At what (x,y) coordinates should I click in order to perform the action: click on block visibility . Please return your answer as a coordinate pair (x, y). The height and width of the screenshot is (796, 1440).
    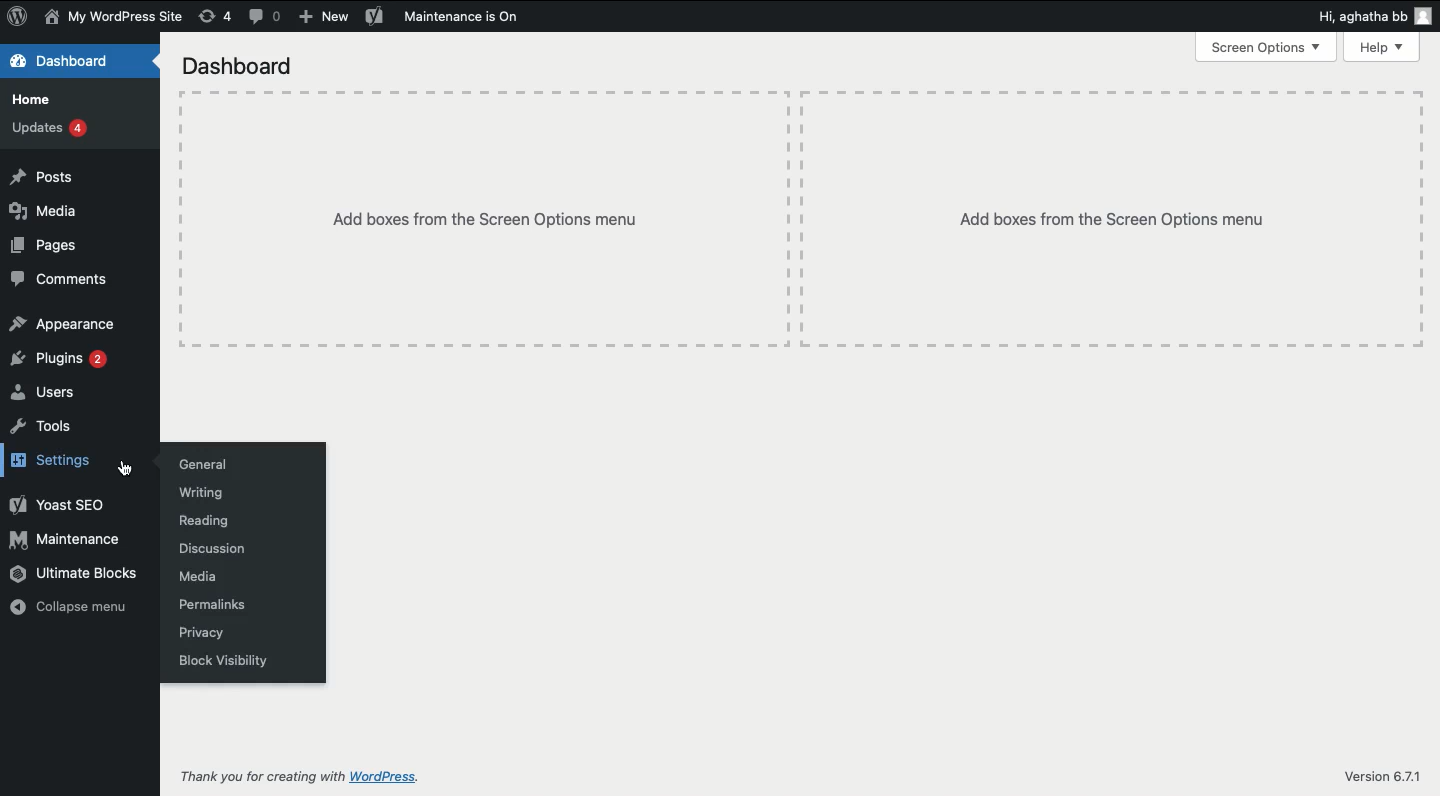
    Looking at the image, I should click on (223, 660).